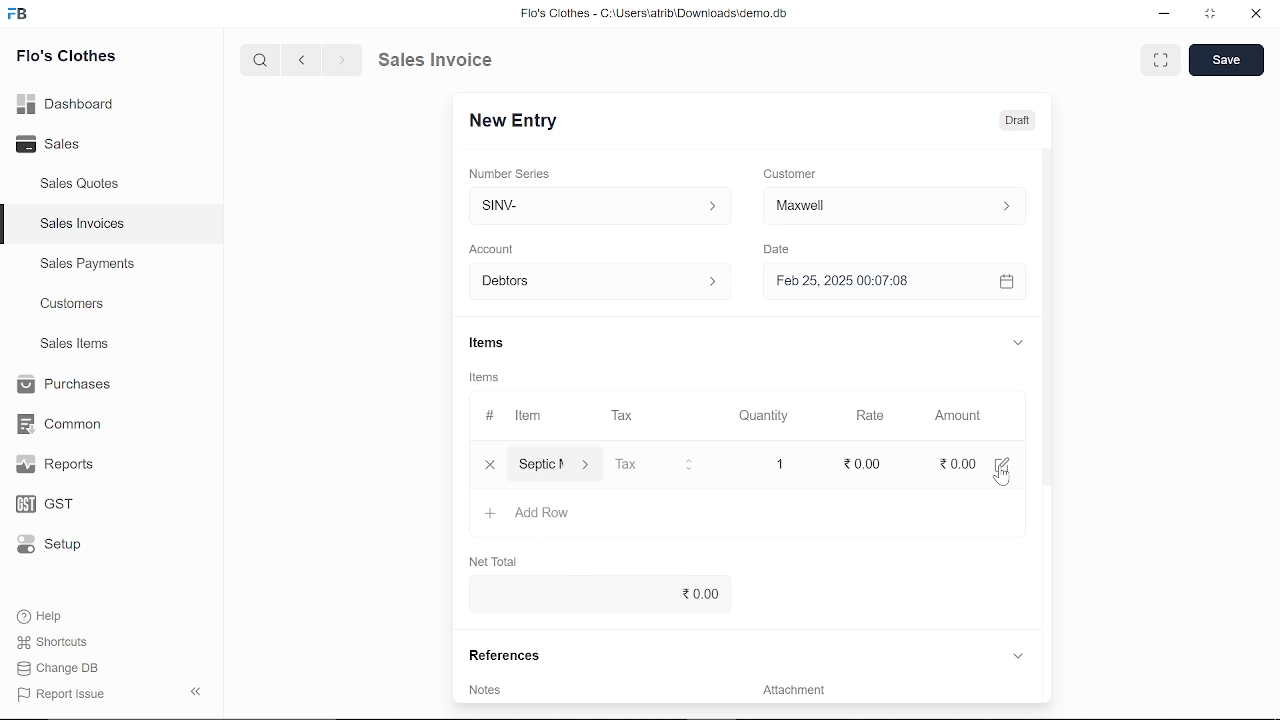 Image resolution: width=1280 pixels, height=720 pixels. Describe the element at coordinates (263, 61) in the screenshot. I see `search` at that location.